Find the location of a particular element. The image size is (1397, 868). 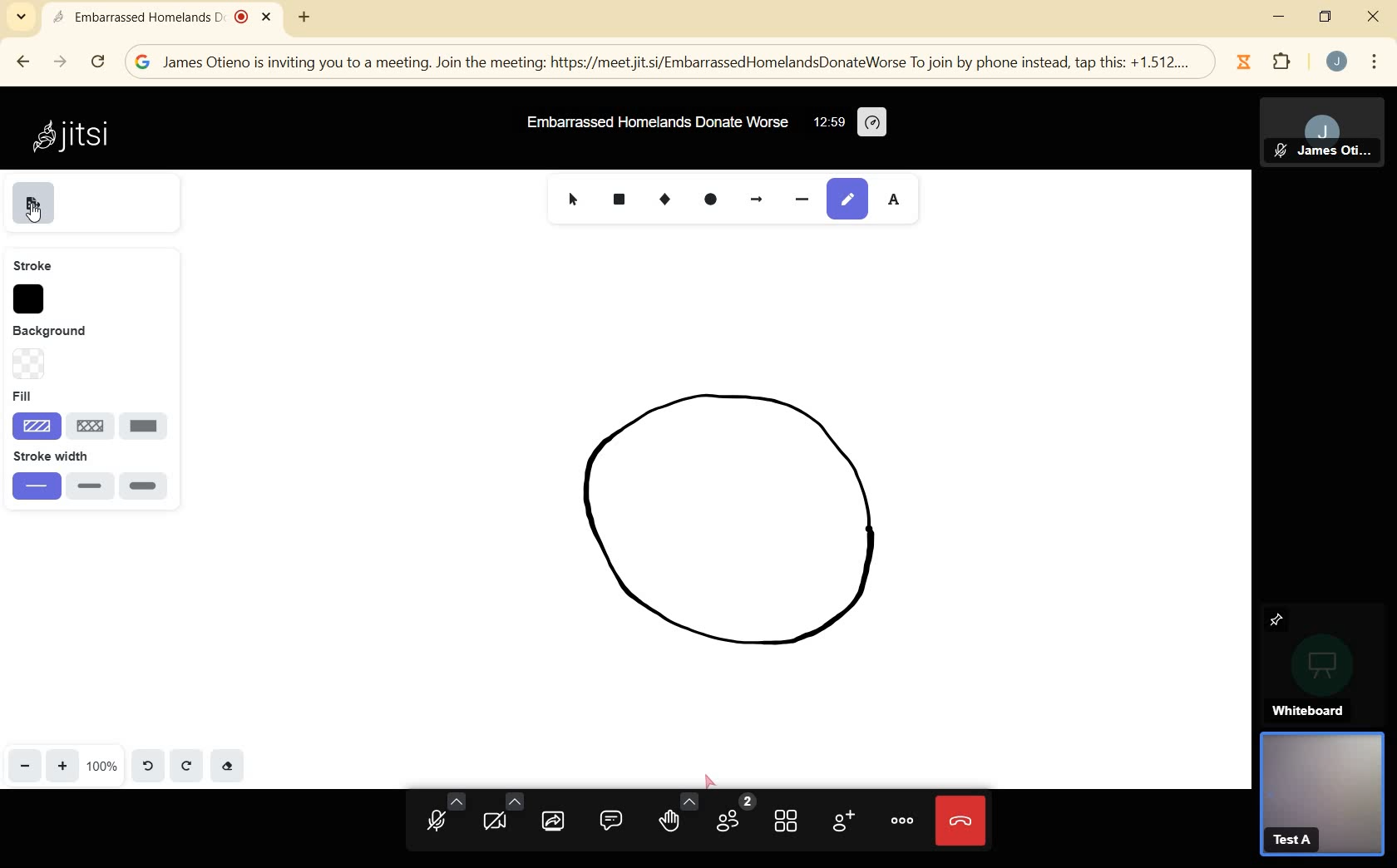

diamond is located at coordinates (664, 200).